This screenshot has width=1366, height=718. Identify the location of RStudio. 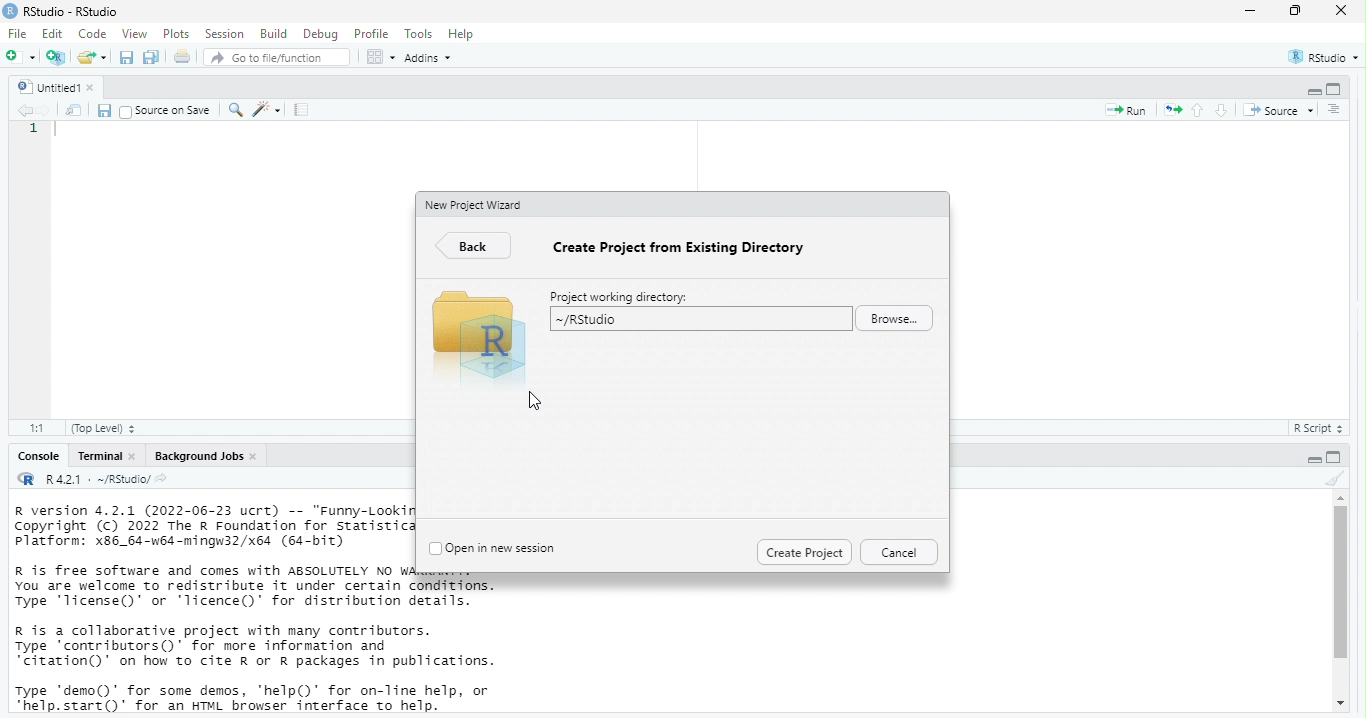
(1325, 53).